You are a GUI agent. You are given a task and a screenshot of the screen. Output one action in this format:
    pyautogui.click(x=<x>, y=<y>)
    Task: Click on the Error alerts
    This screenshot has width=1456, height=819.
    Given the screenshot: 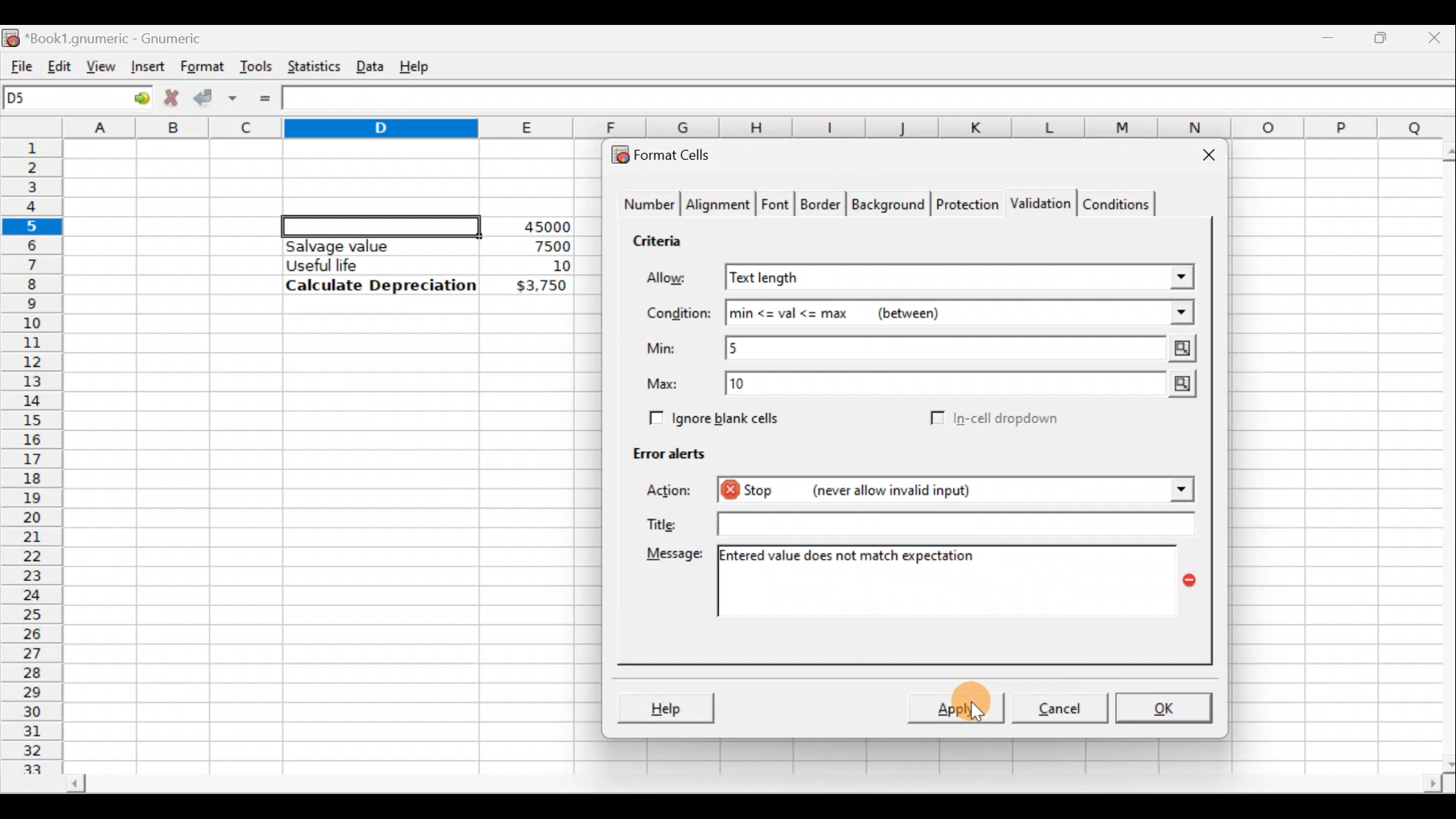 What is the action you would take?
    pyautogui.click(x=661, y=450)
    